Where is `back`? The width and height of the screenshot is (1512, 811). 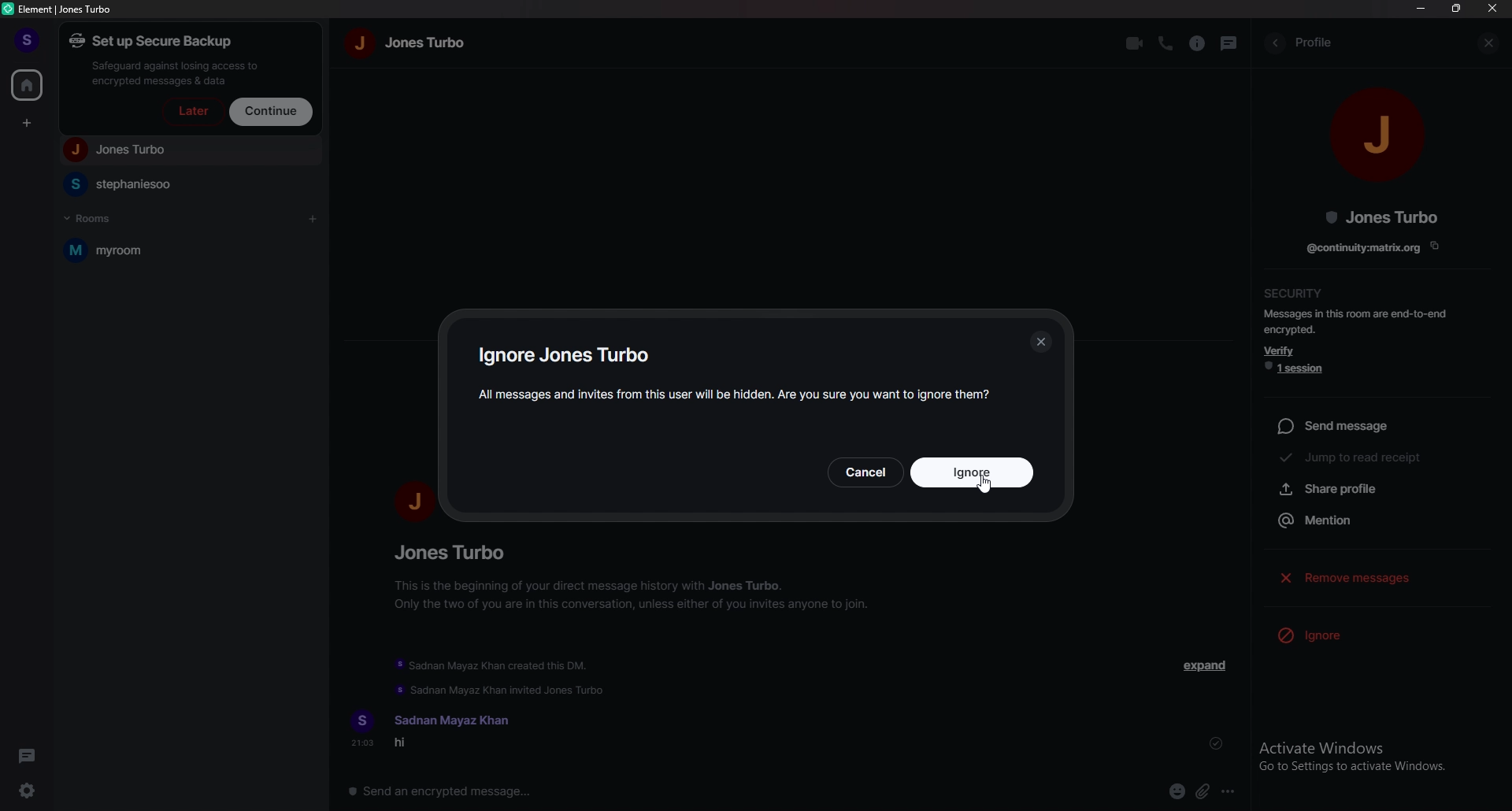
back is located at coordinates (1274, 43).